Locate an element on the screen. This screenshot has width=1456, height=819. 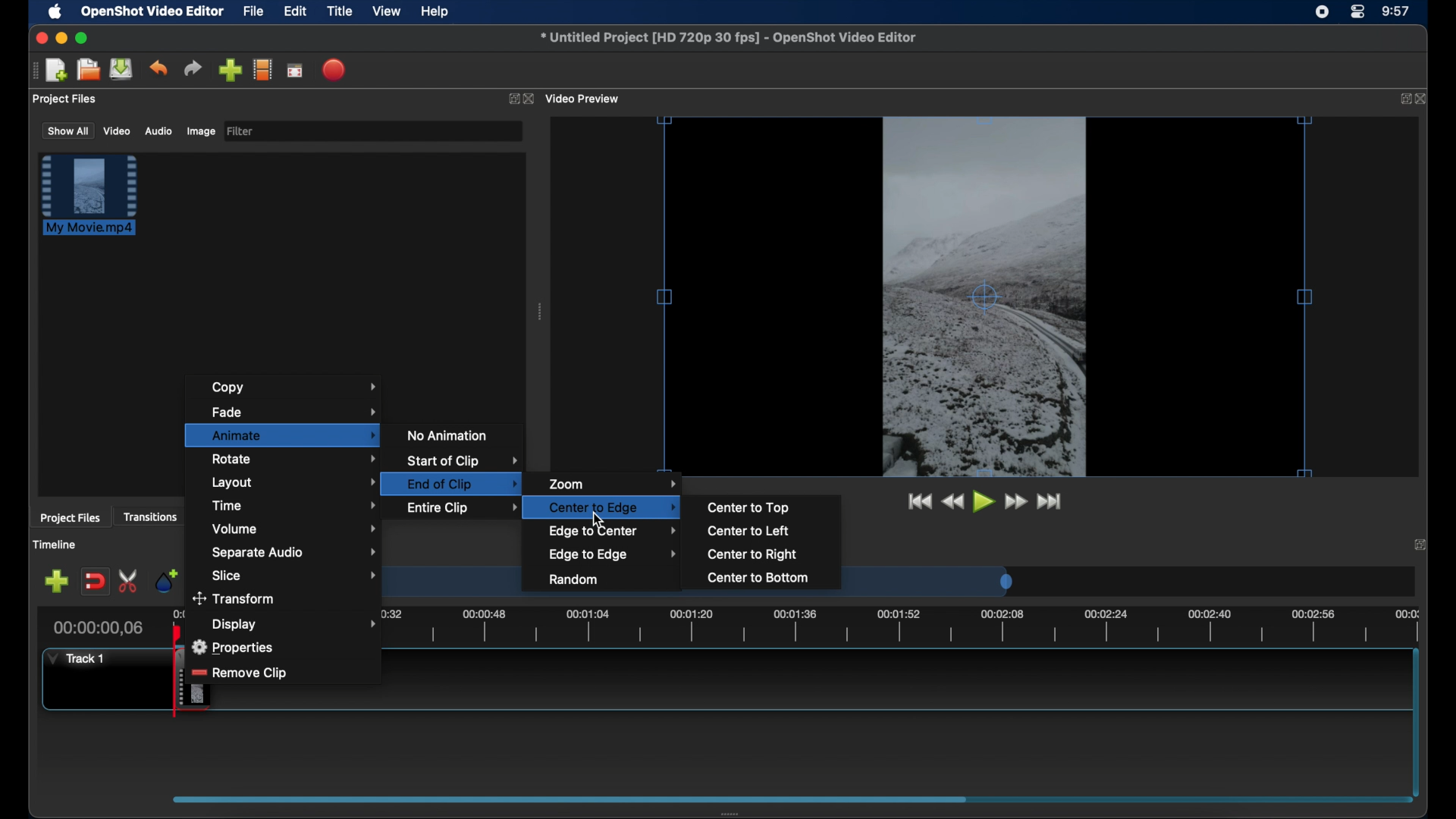
center to edge highlighted is located at coordinates (607, 507).